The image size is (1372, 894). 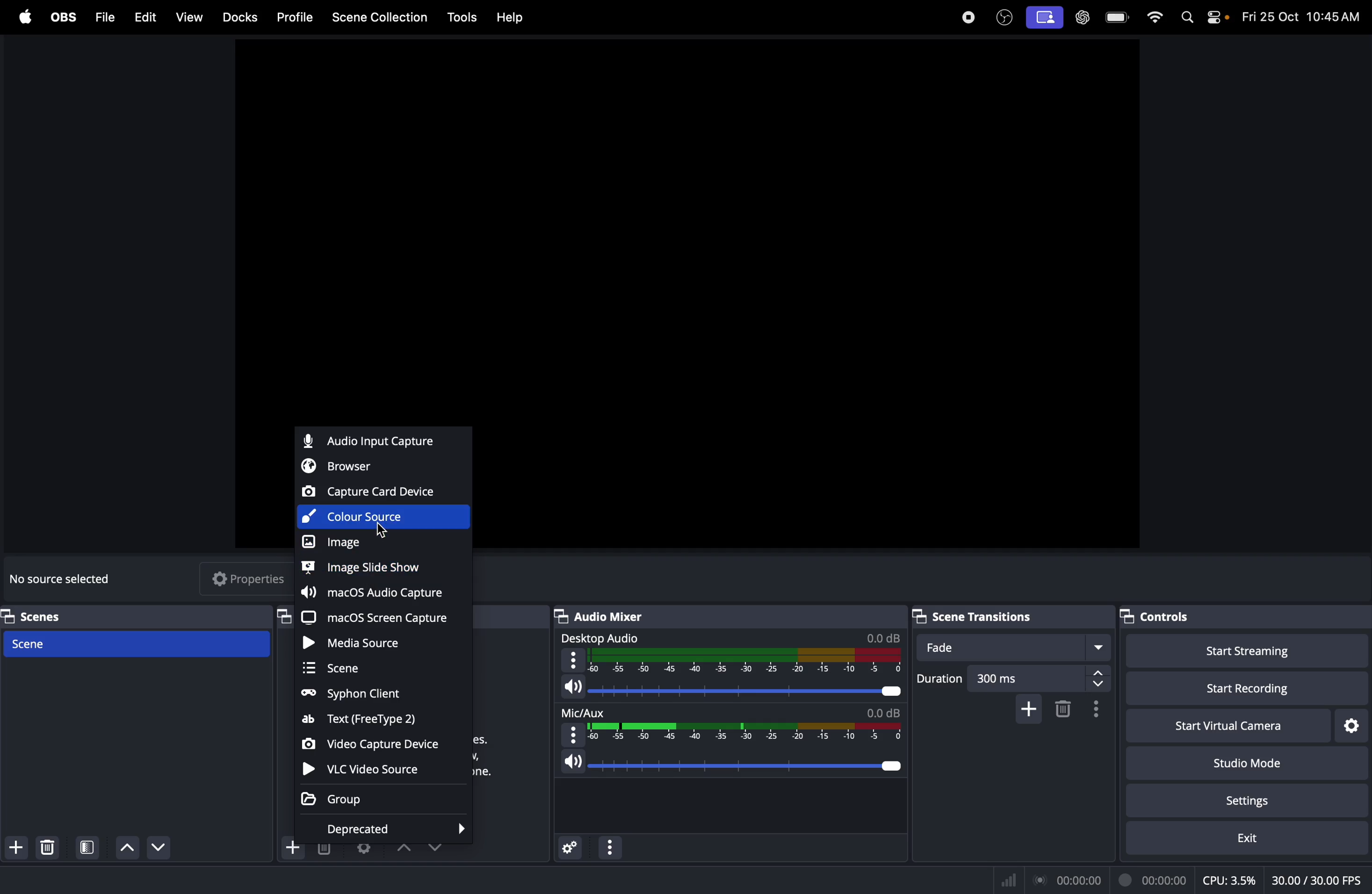 What do you see at coordinates (327, 851) in the screenshot?
I see `delete` at bounding box center [327, 851].